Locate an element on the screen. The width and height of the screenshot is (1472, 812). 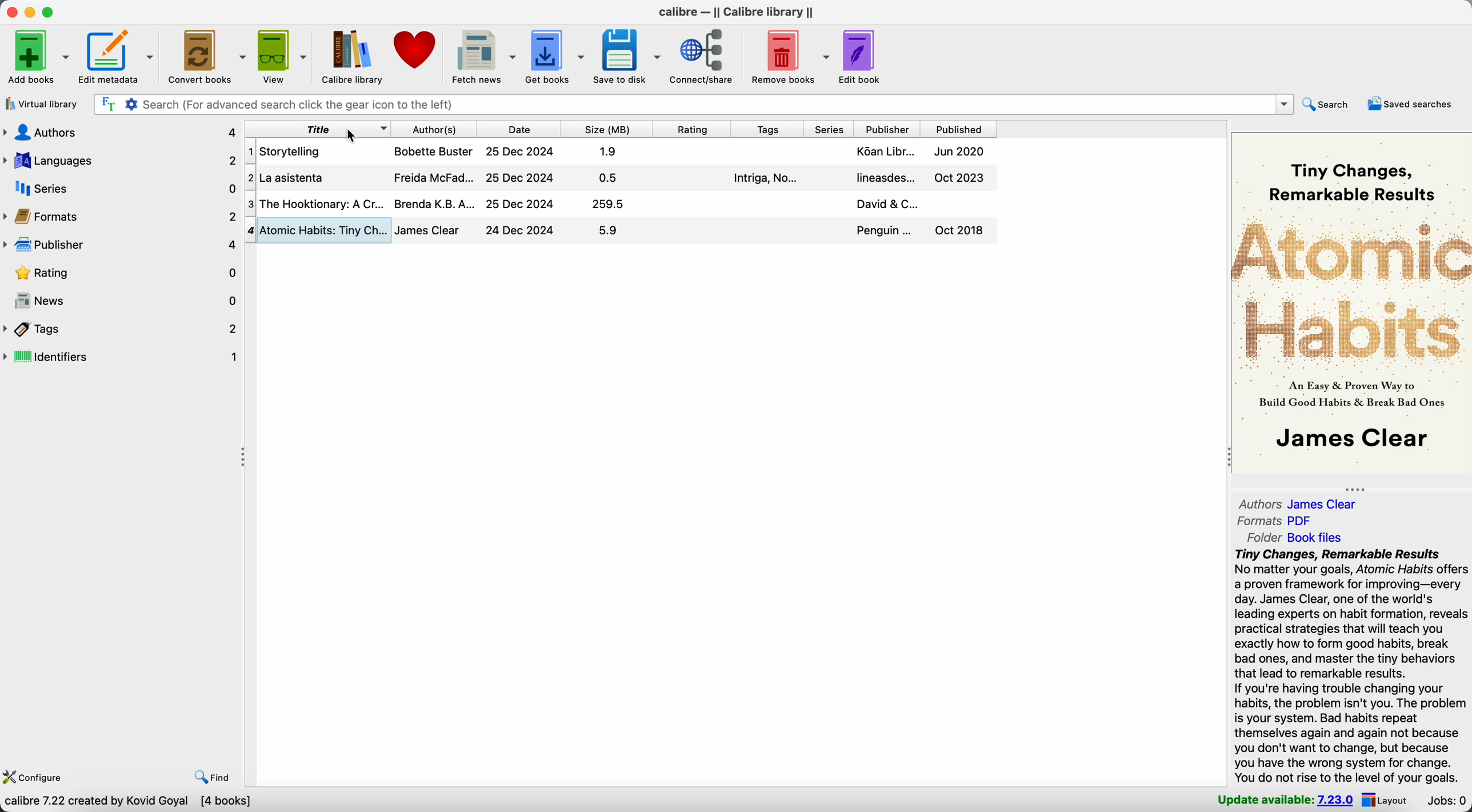
remove books is located at coordinates (787, 55).